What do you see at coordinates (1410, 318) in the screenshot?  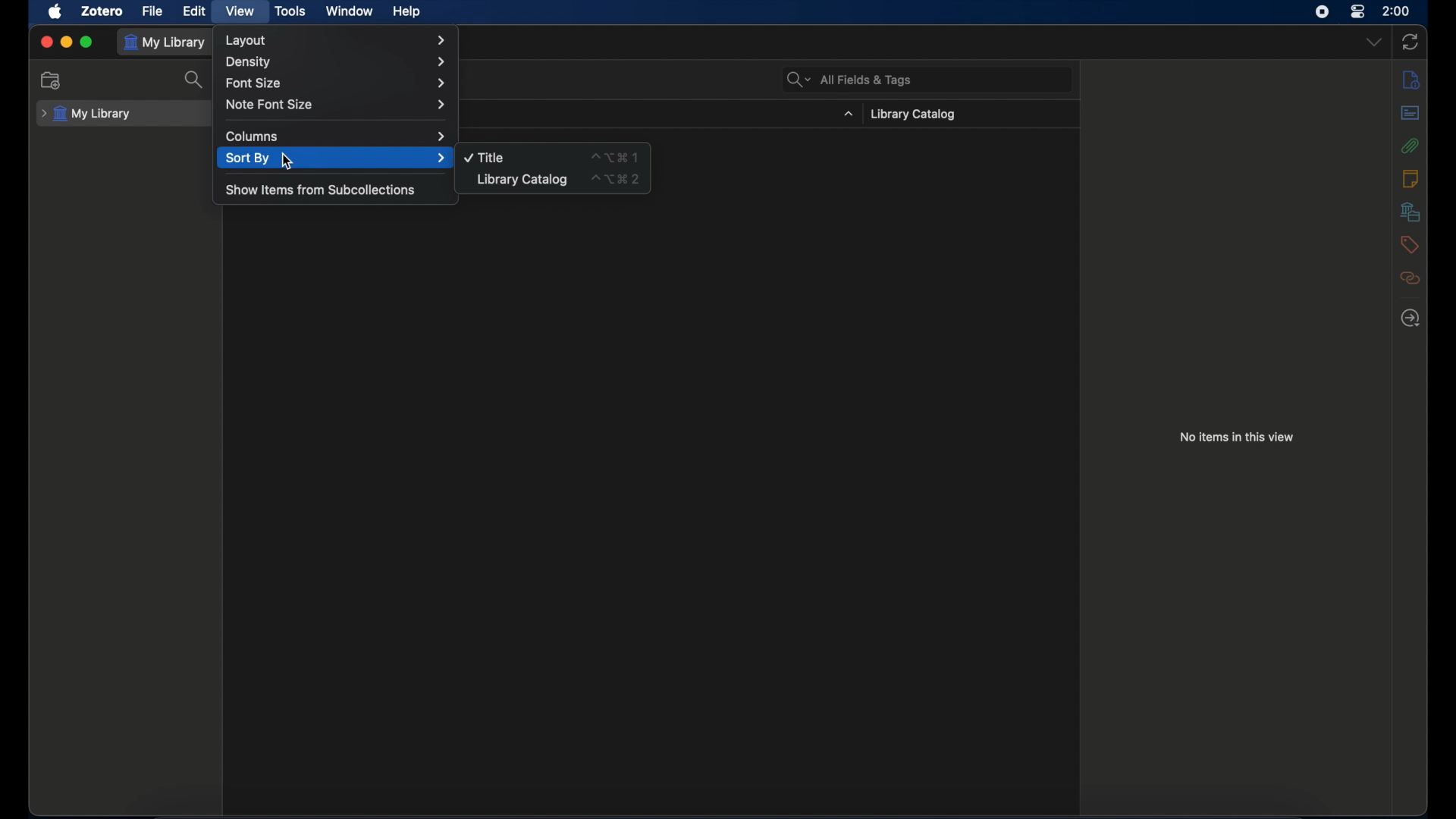 I see `locate` at bounding box center [1410, 318].